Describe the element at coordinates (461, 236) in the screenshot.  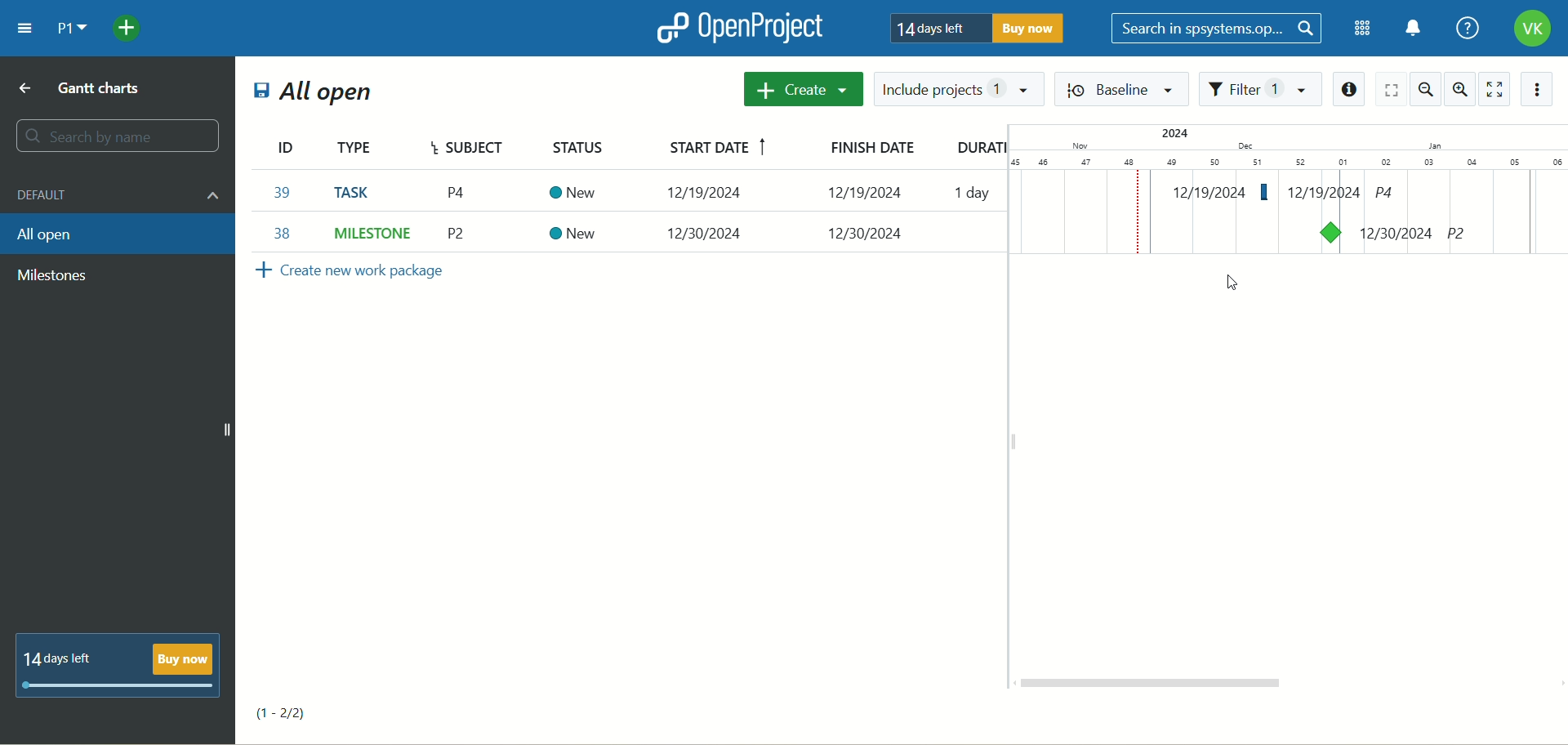
I see `P4` at that location.